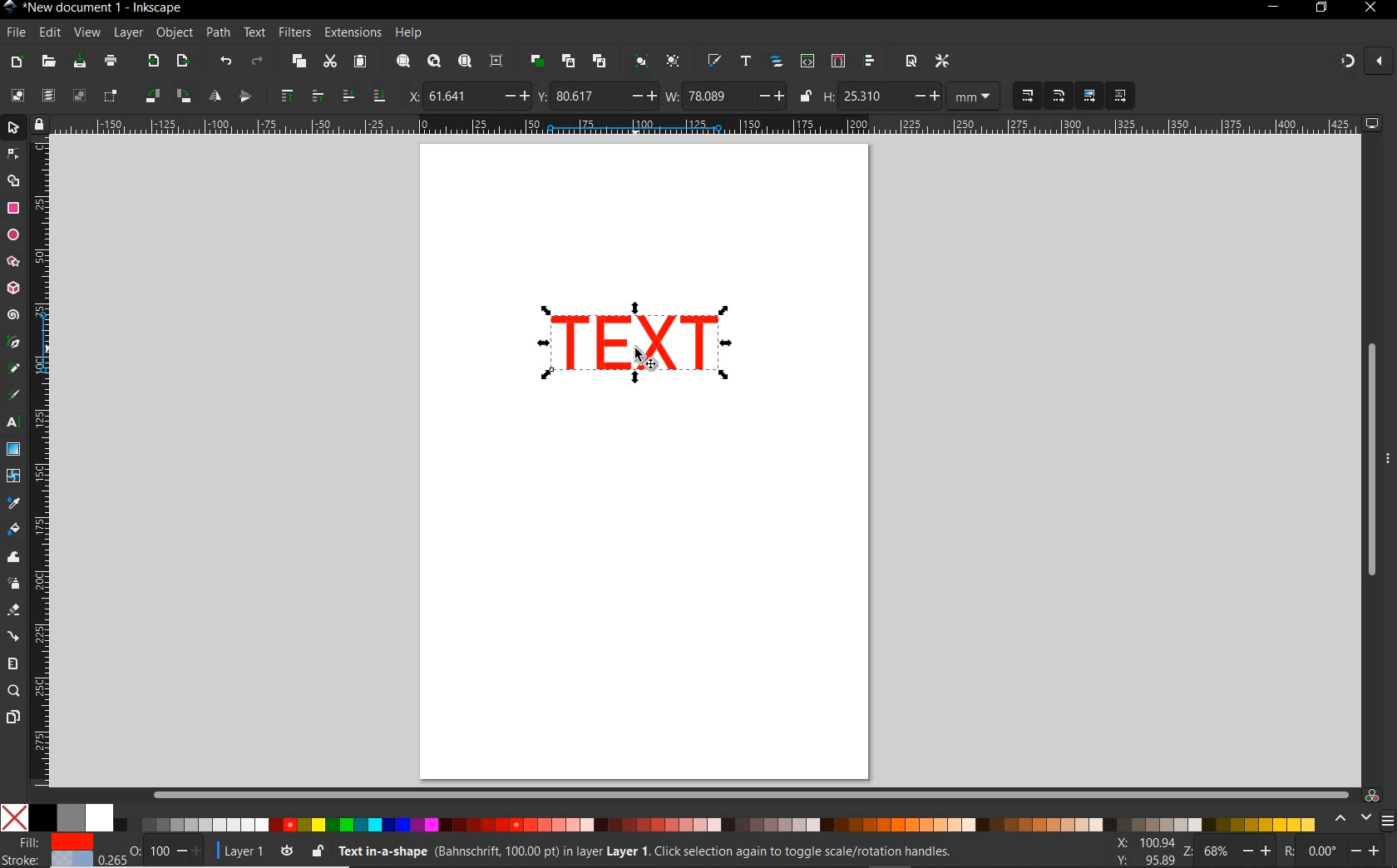 The width and height of the screenshot is (1397, 868). I want to click on spiral tool, so click(13, 317).